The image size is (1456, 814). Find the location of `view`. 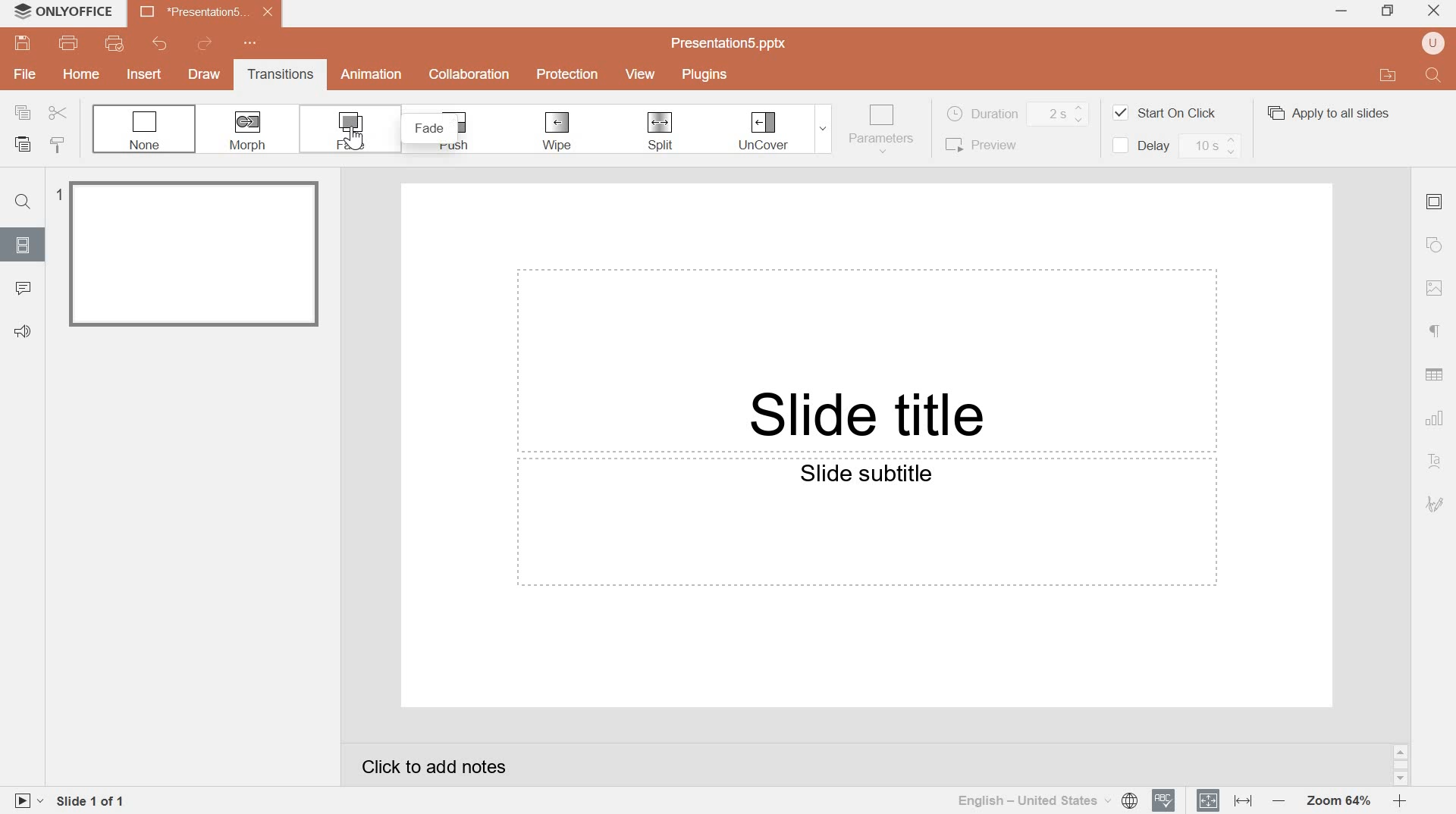

view is located at coordinates (643, 74).